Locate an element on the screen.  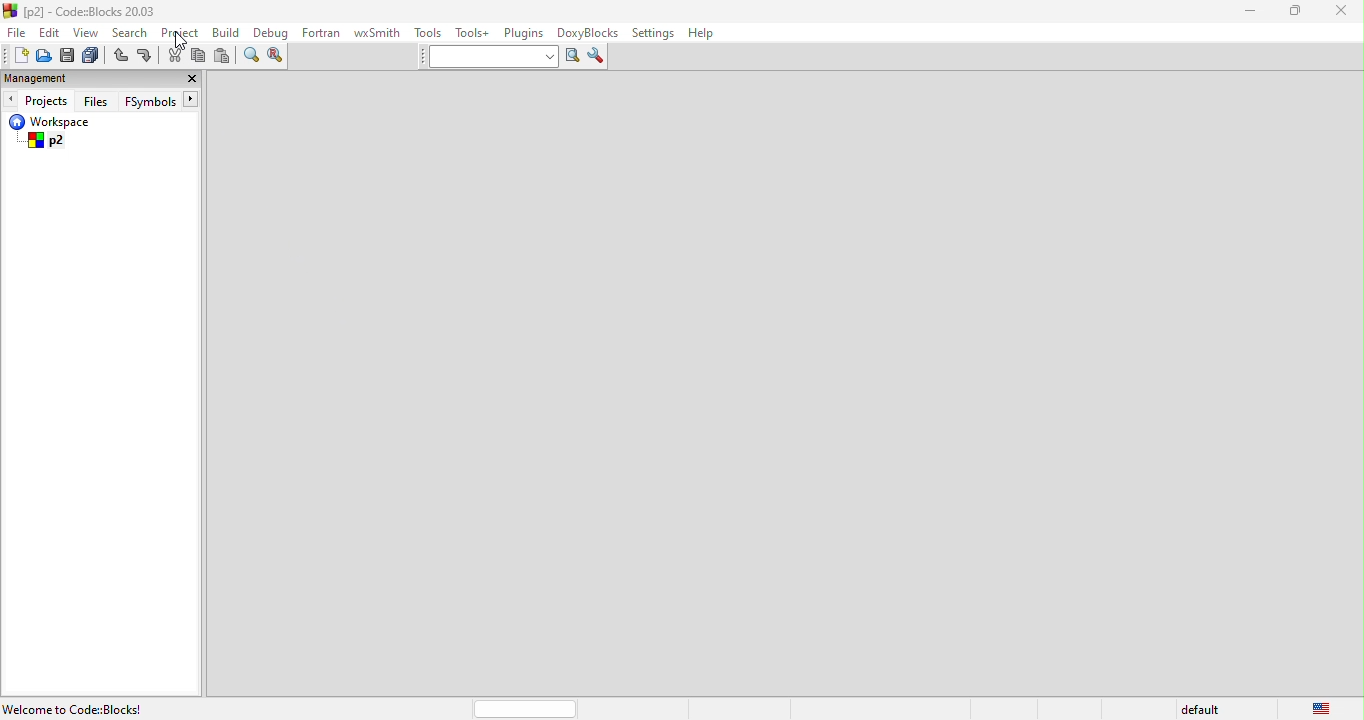
fortran is located at coordinates (323, 32).